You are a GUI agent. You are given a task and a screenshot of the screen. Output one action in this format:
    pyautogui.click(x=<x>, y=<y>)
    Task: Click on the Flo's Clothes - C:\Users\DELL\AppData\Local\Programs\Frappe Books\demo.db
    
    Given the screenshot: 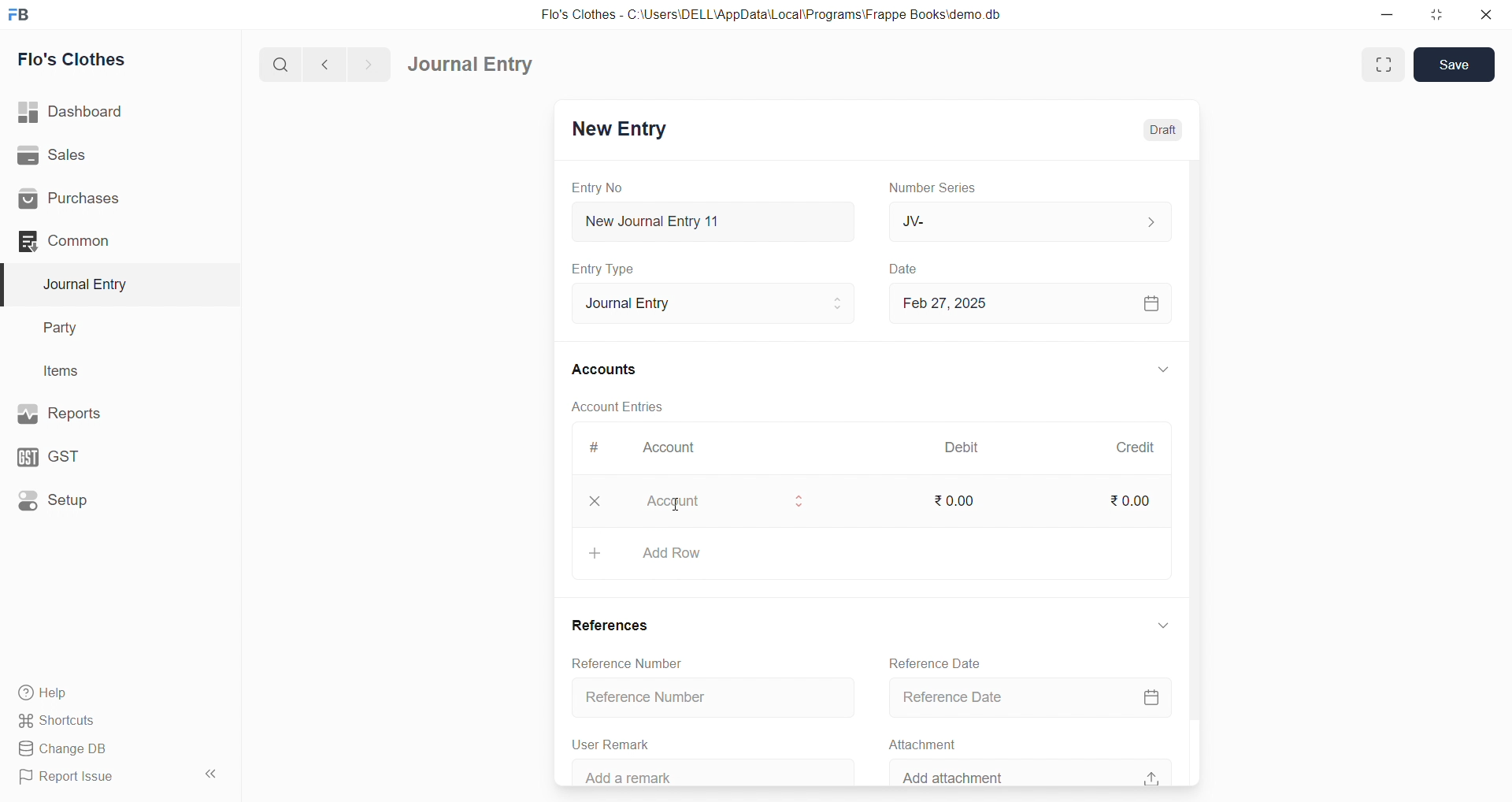 What is the action you would take?
    pyautogui.click(x=771, y=13)
    